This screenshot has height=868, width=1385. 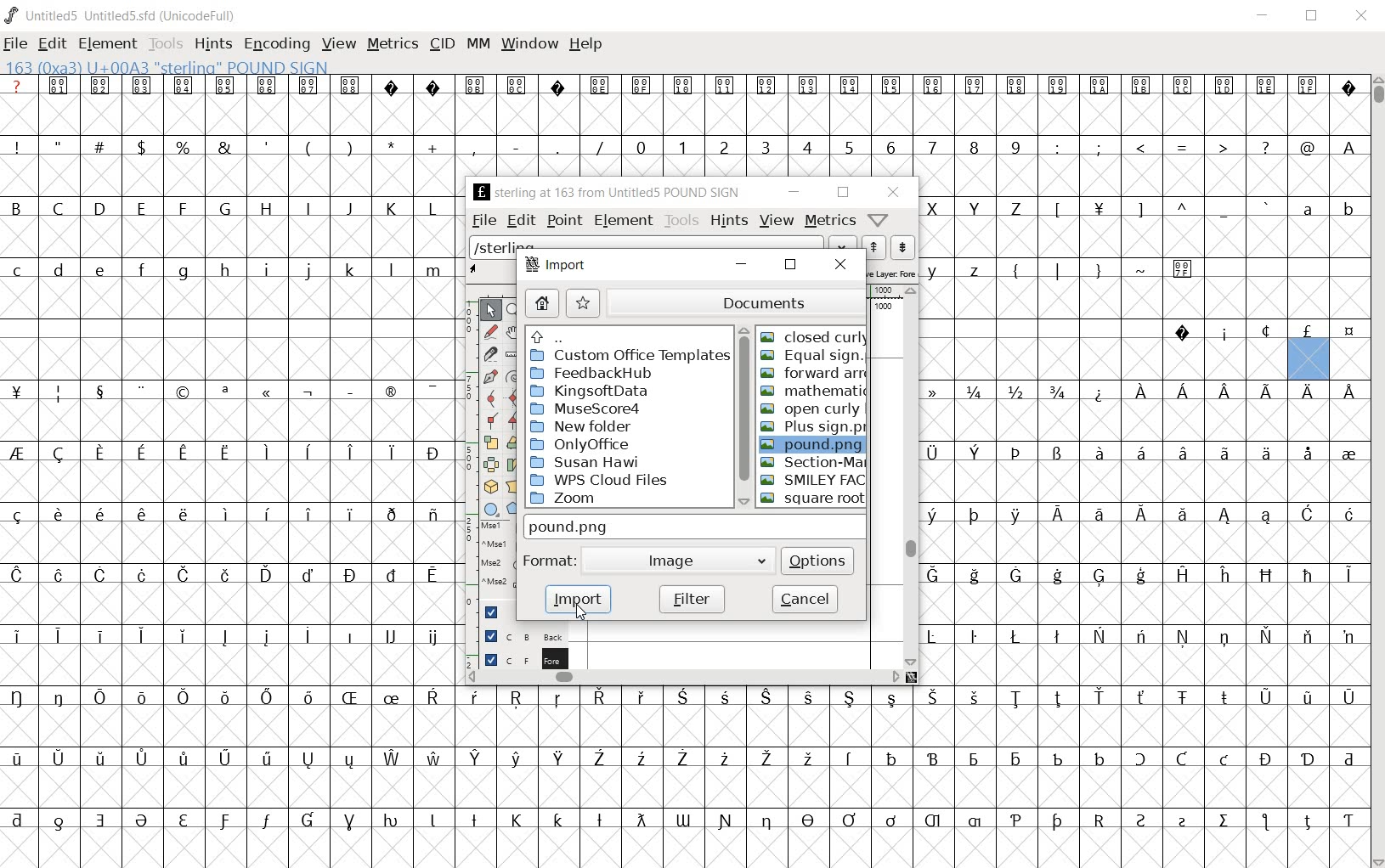 I want to click on cancel, so click(x=805, y=598).